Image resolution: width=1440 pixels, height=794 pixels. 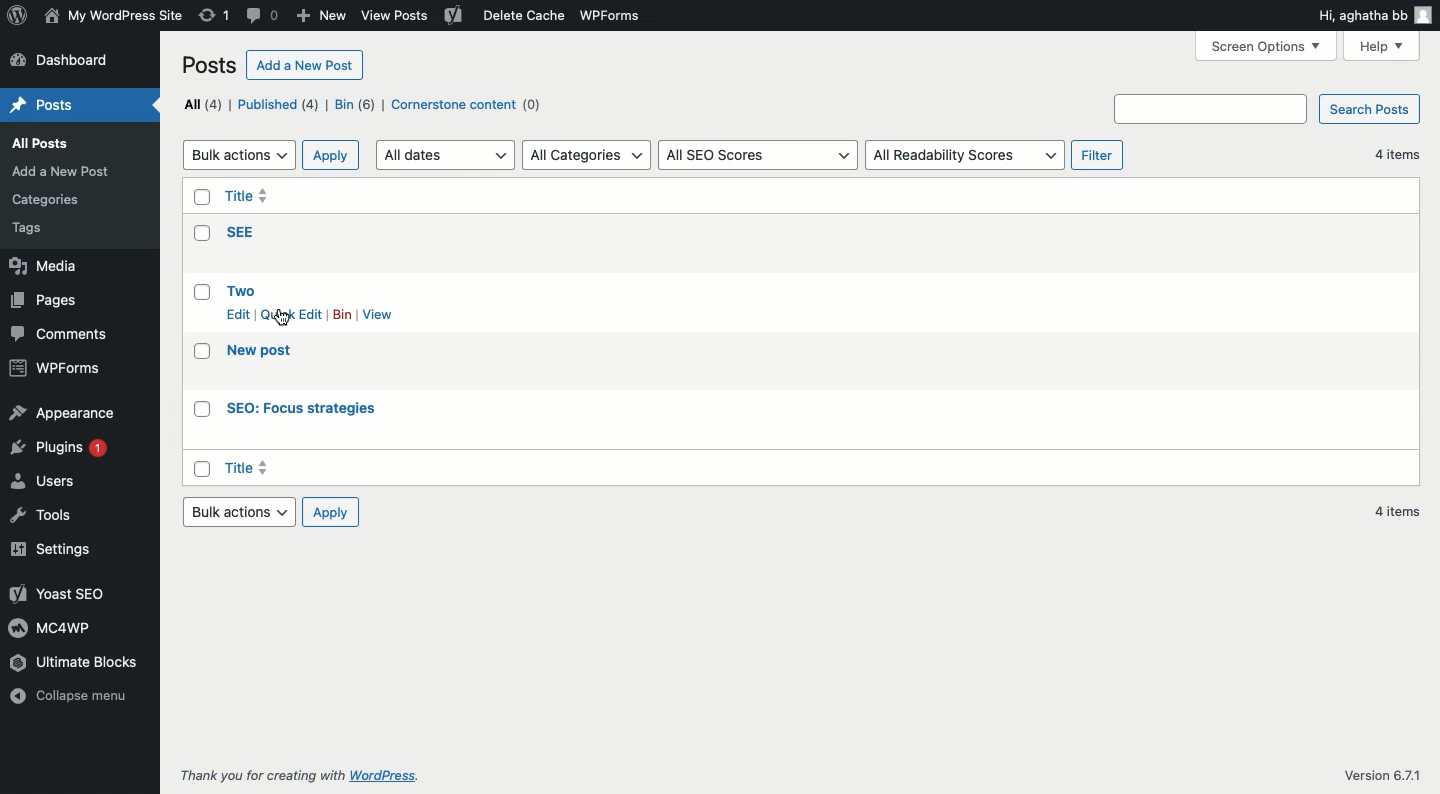 I want to click on Revision, so click(x=215, y=17).